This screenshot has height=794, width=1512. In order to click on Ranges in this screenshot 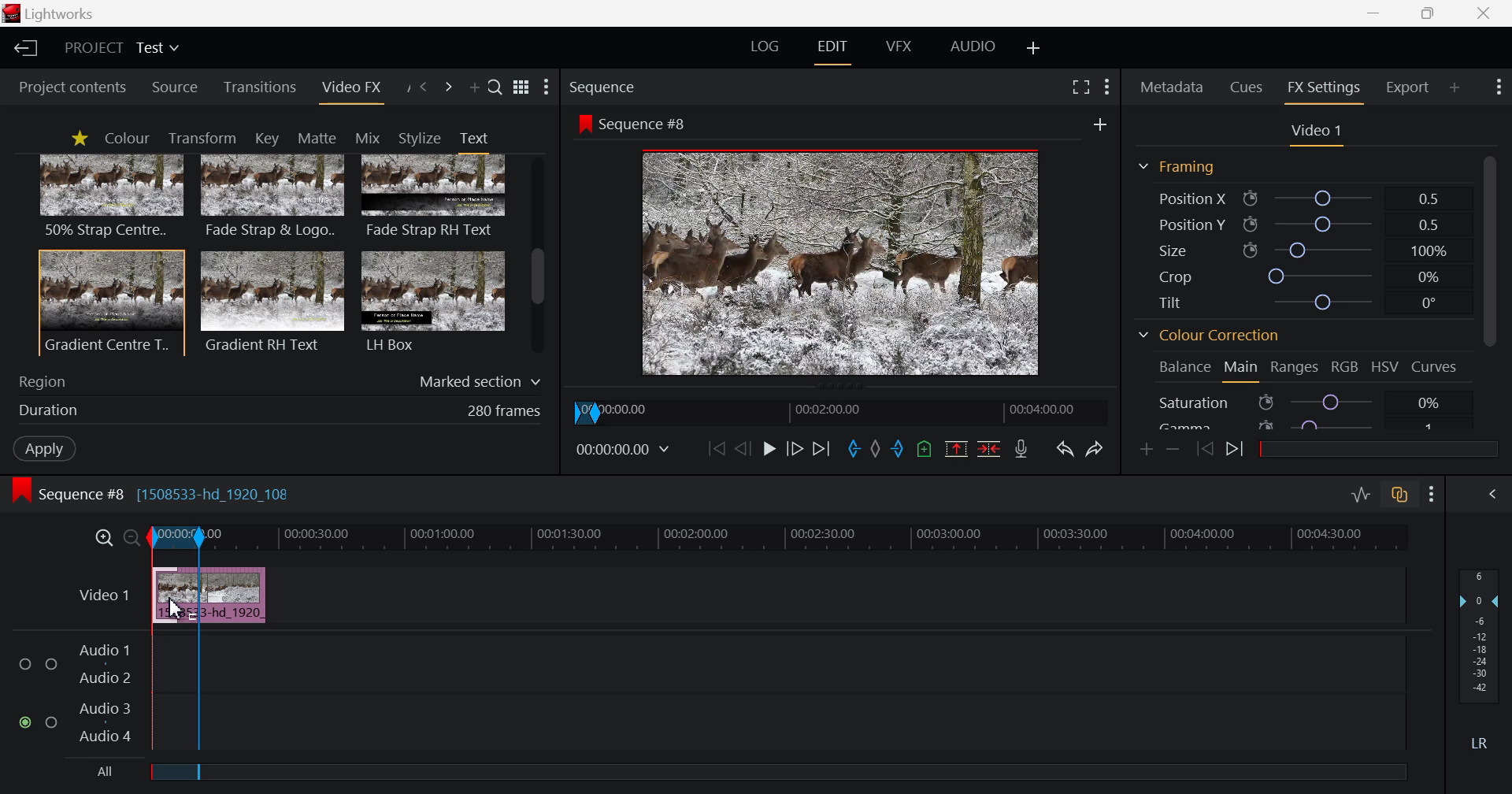, I will do `click(1293, 371)`.